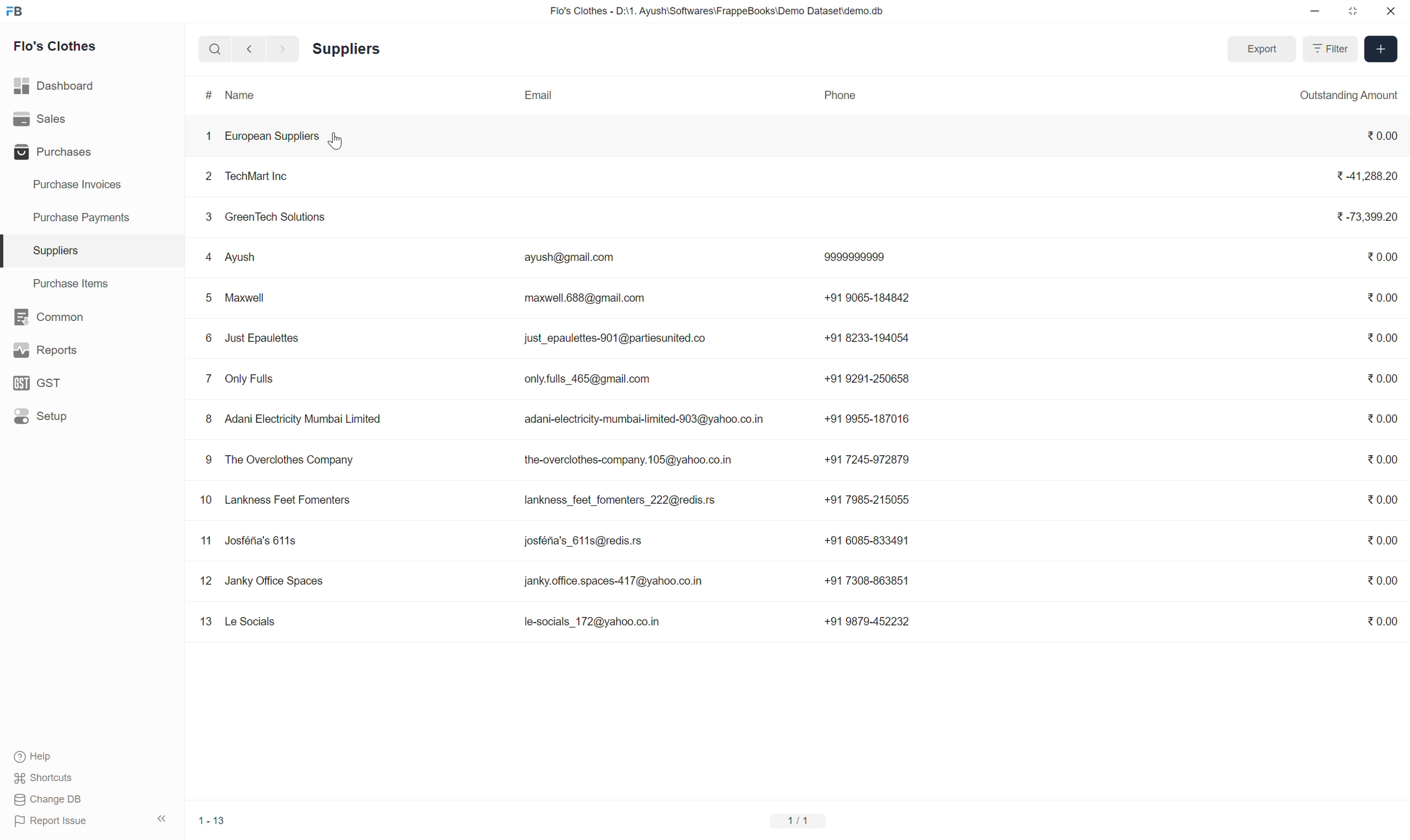  What do you see at coordinates (583, 301) in the screenshot?
I see `maxwell.688@gmail.com` at bounding box center [583, 301].